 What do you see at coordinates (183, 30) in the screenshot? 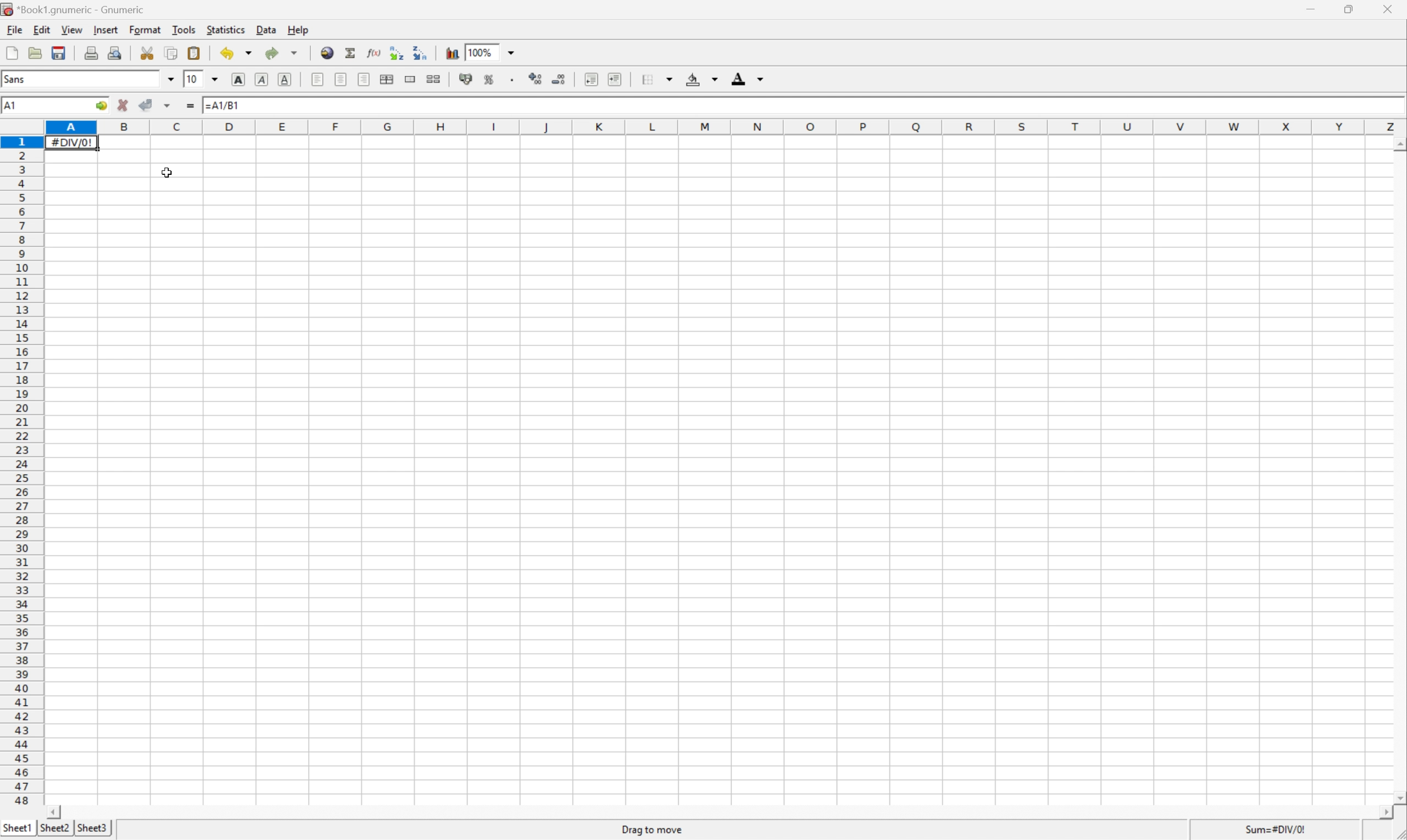
I see `Tools` at bounding box center [183, 30].